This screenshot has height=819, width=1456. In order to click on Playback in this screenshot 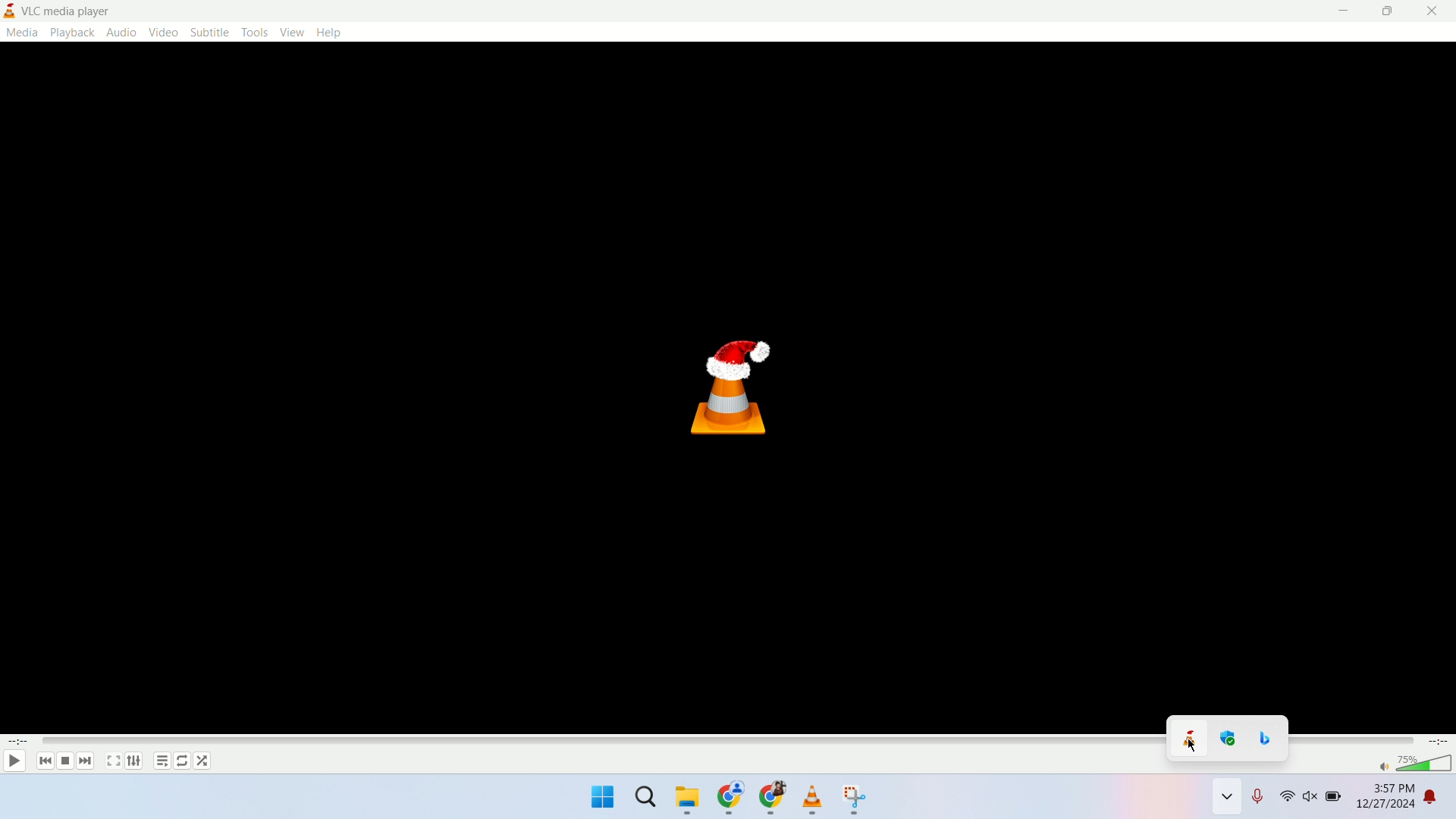, I will do `click(71, 32)`.